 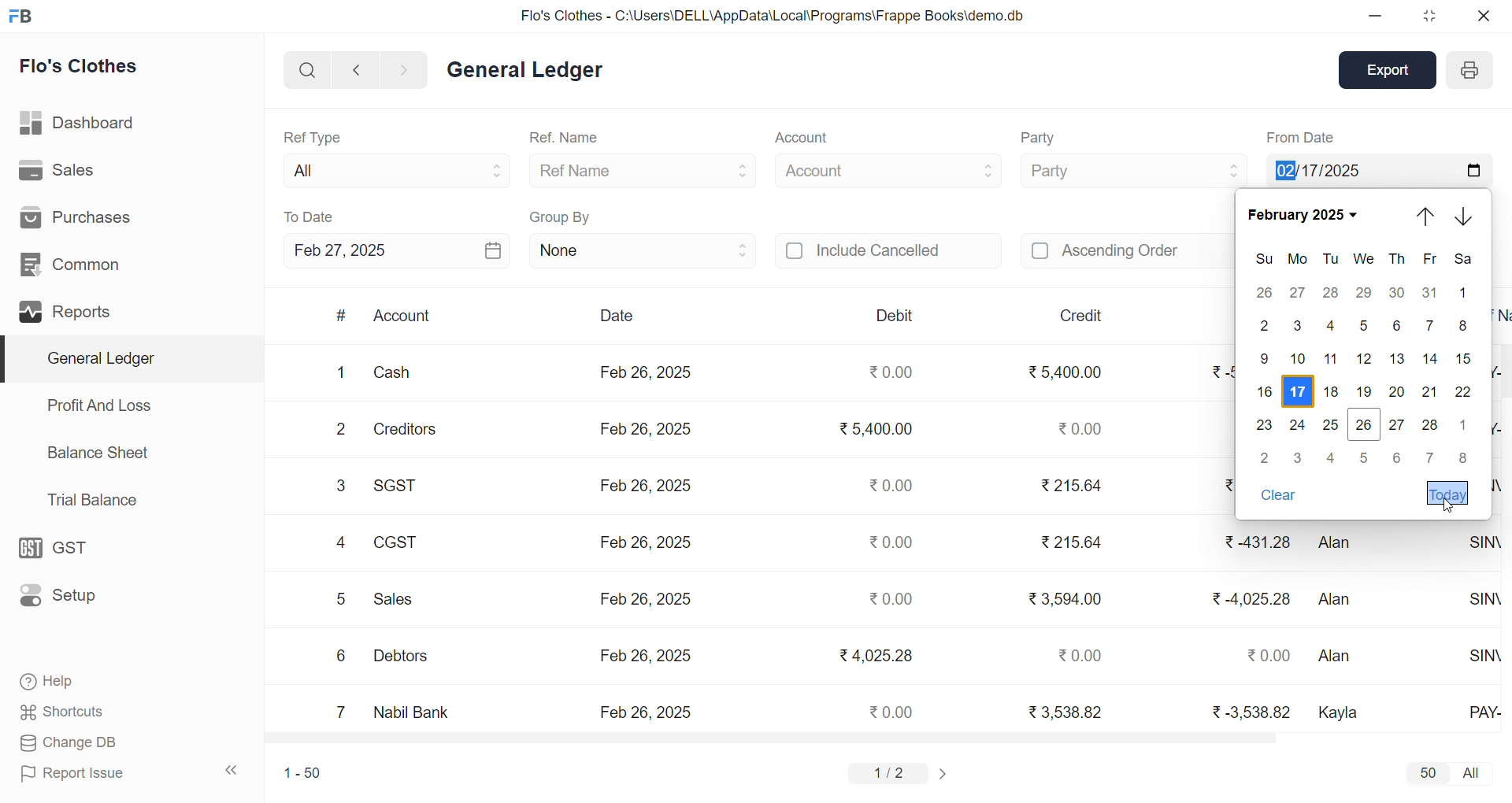 I want to click on 30, so click(x=1397, y=293).